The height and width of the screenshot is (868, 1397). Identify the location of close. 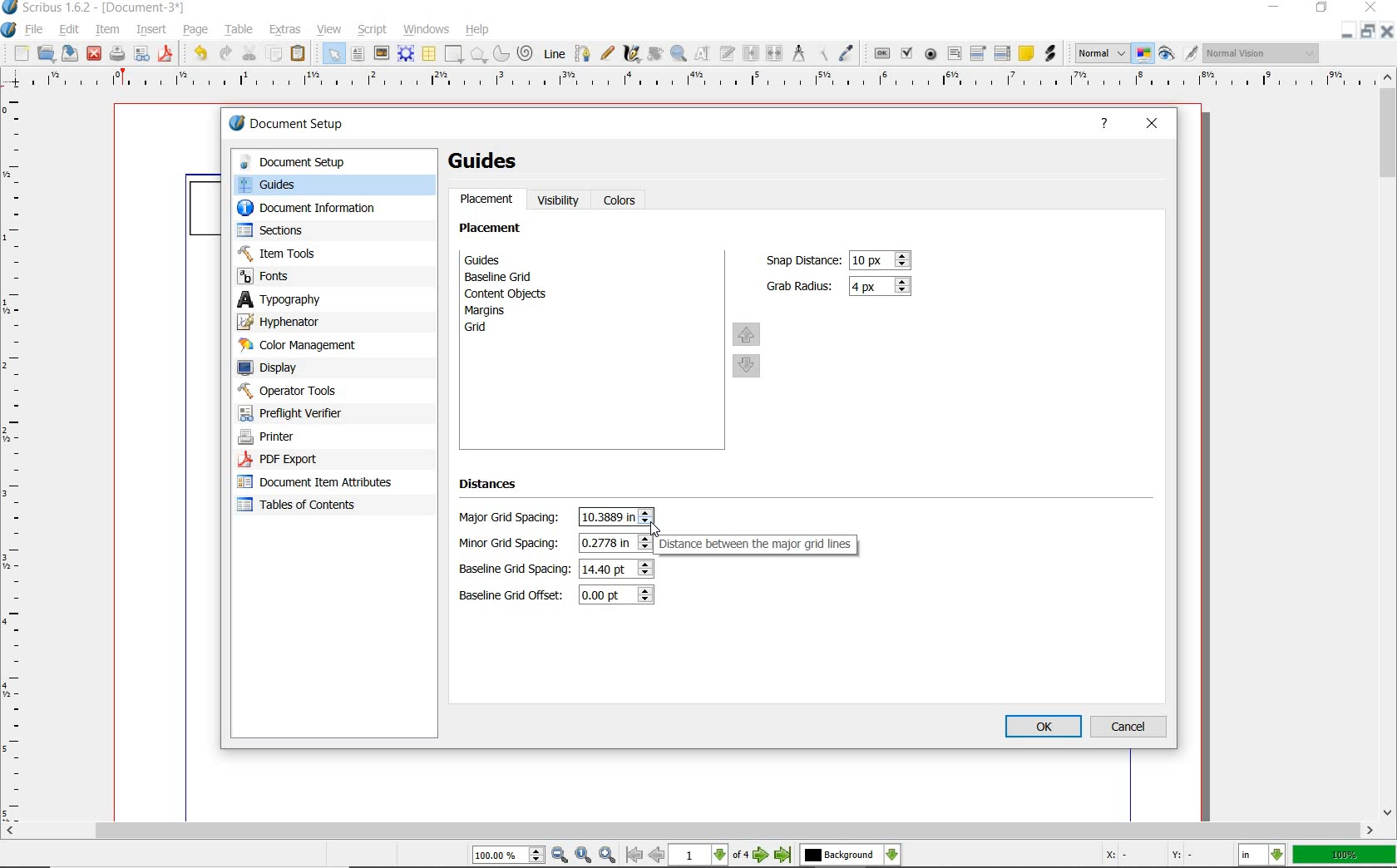
(1153, 124).